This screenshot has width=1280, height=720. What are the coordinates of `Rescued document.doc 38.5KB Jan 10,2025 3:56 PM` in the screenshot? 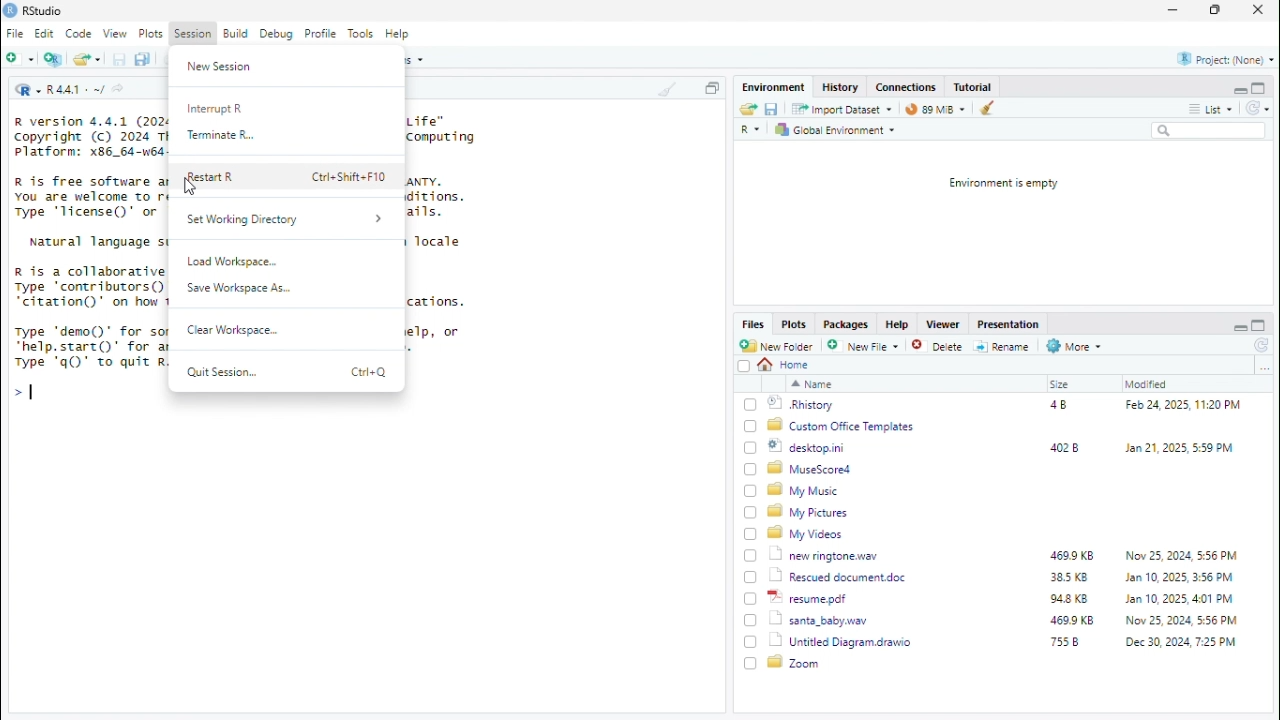 It's located at (1005, 576).